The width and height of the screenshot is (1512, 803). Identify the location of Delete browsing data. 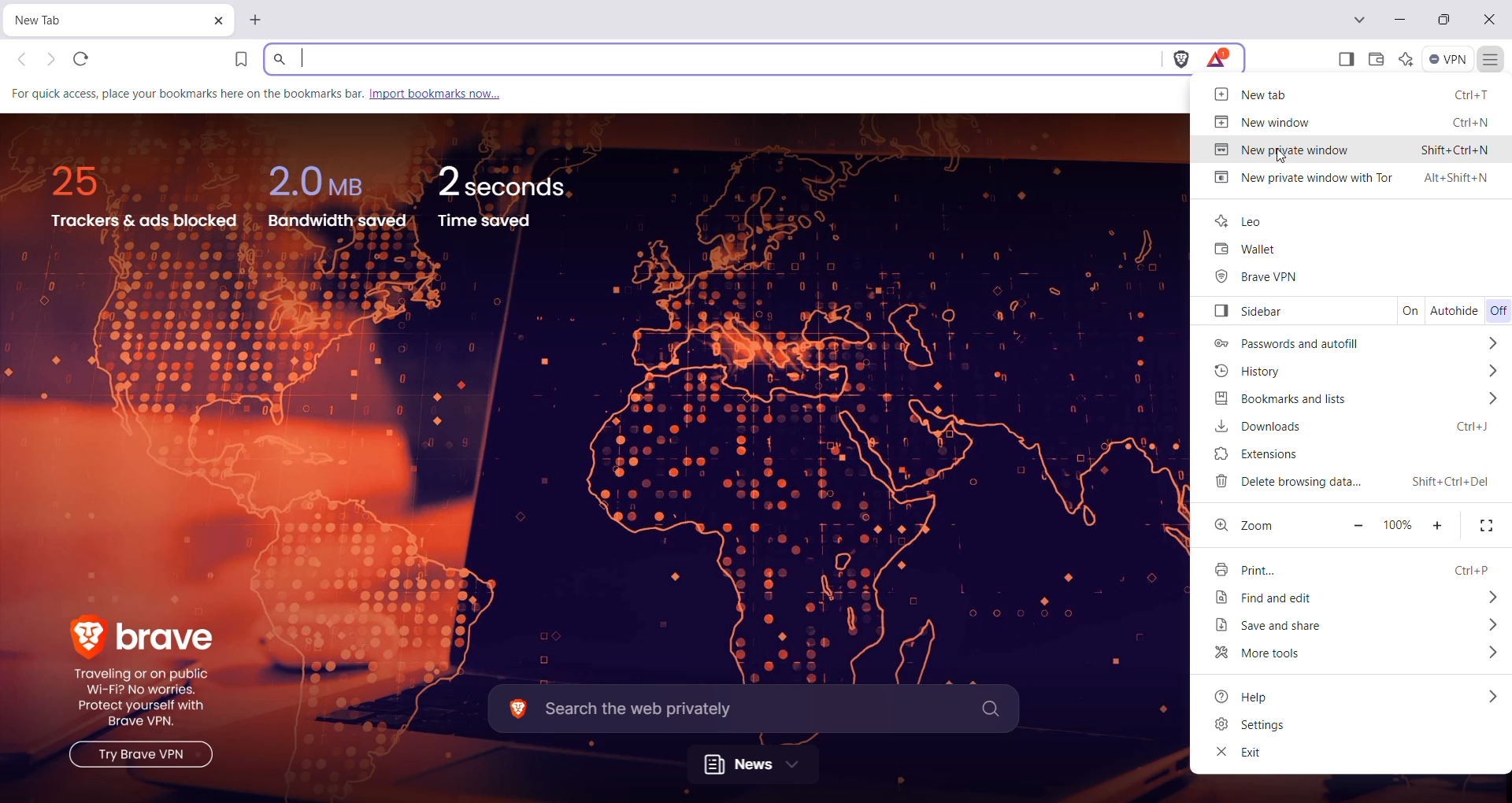
(1351, 483).